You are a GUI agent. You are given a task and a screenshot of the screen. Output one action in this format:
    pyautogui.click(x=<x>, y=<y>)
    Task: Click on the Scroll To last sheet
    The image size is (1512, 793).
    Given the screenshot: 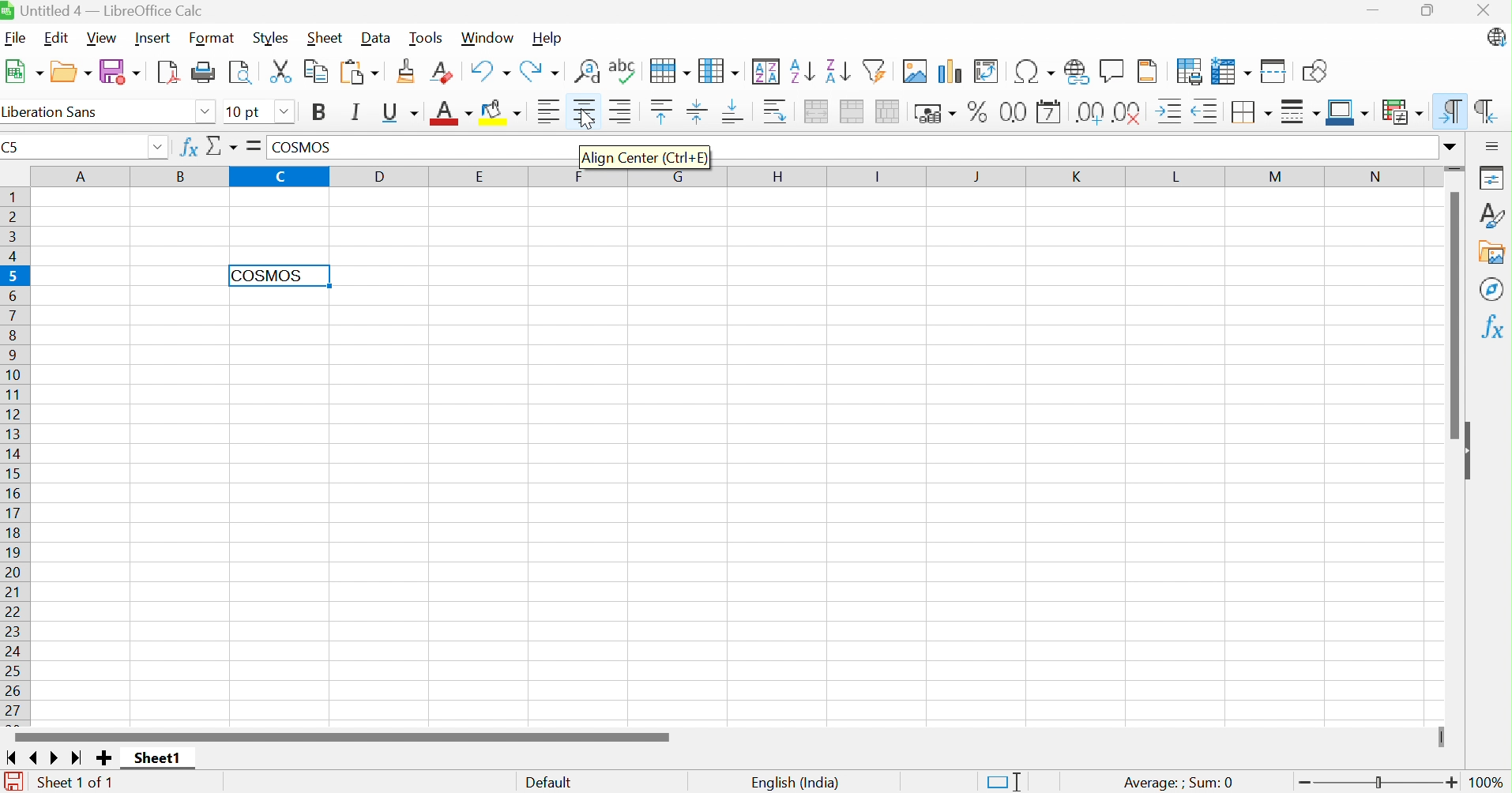 What is the action you would take?
    pyautogui.click(x=78, y=759)
    